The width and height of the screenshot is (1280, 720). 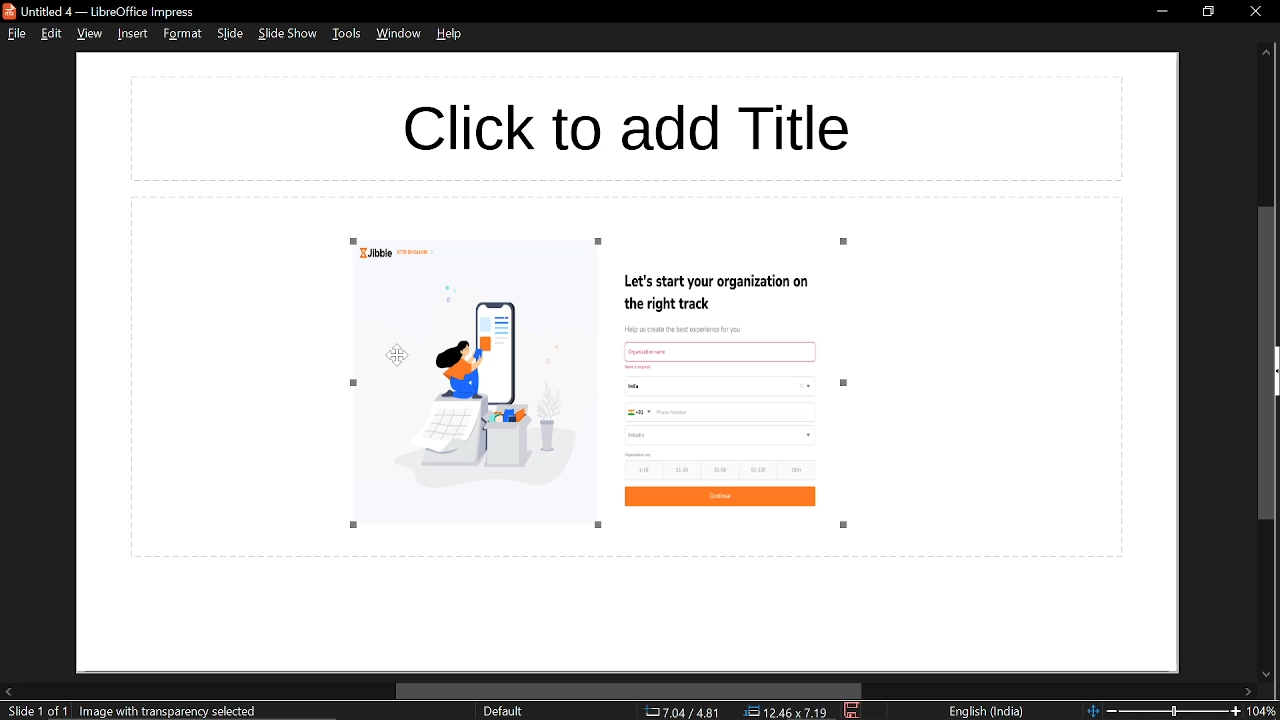 What do you see at coordinates (229, 35) in the screenshot?
I see `slide` at bounding box center [229, 35].